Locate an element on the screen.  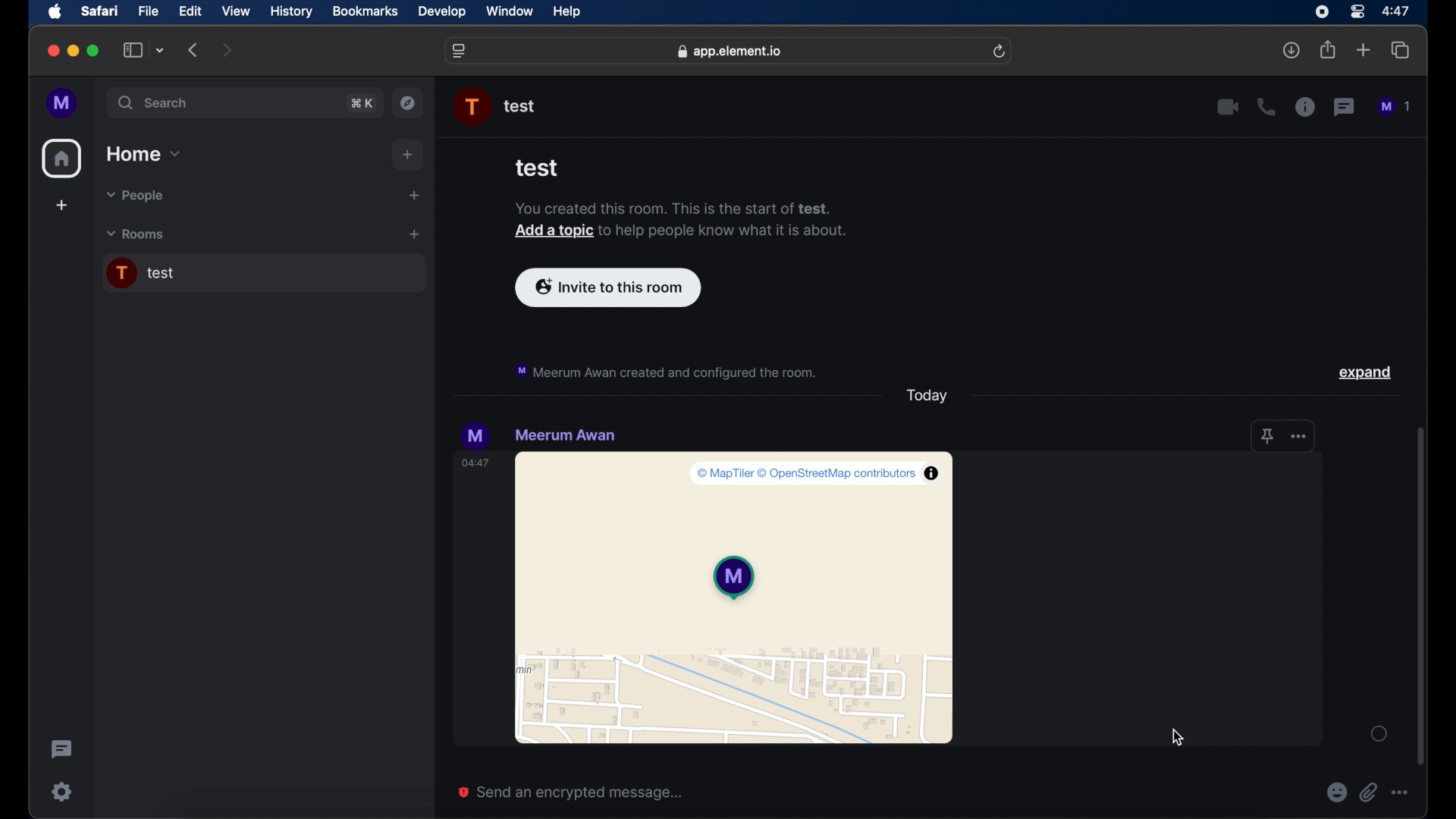
tab group  picker is located at coordinates (160, 51).